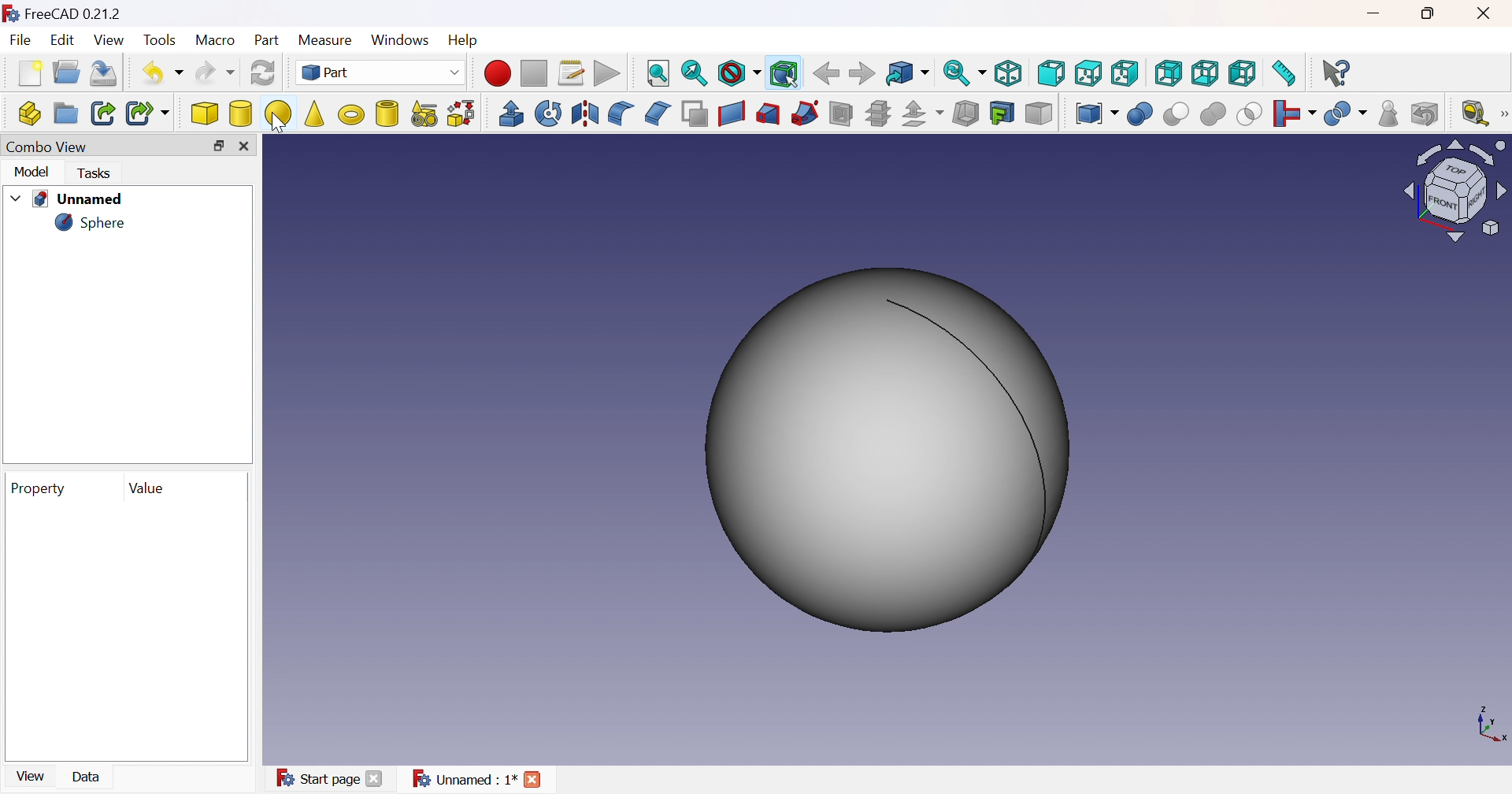 The width and height of the screenshot is (1512, 794). What do you see at coordinates (38, 490) in the screenshot?
I see `Property` at bounding box center [38, 490].